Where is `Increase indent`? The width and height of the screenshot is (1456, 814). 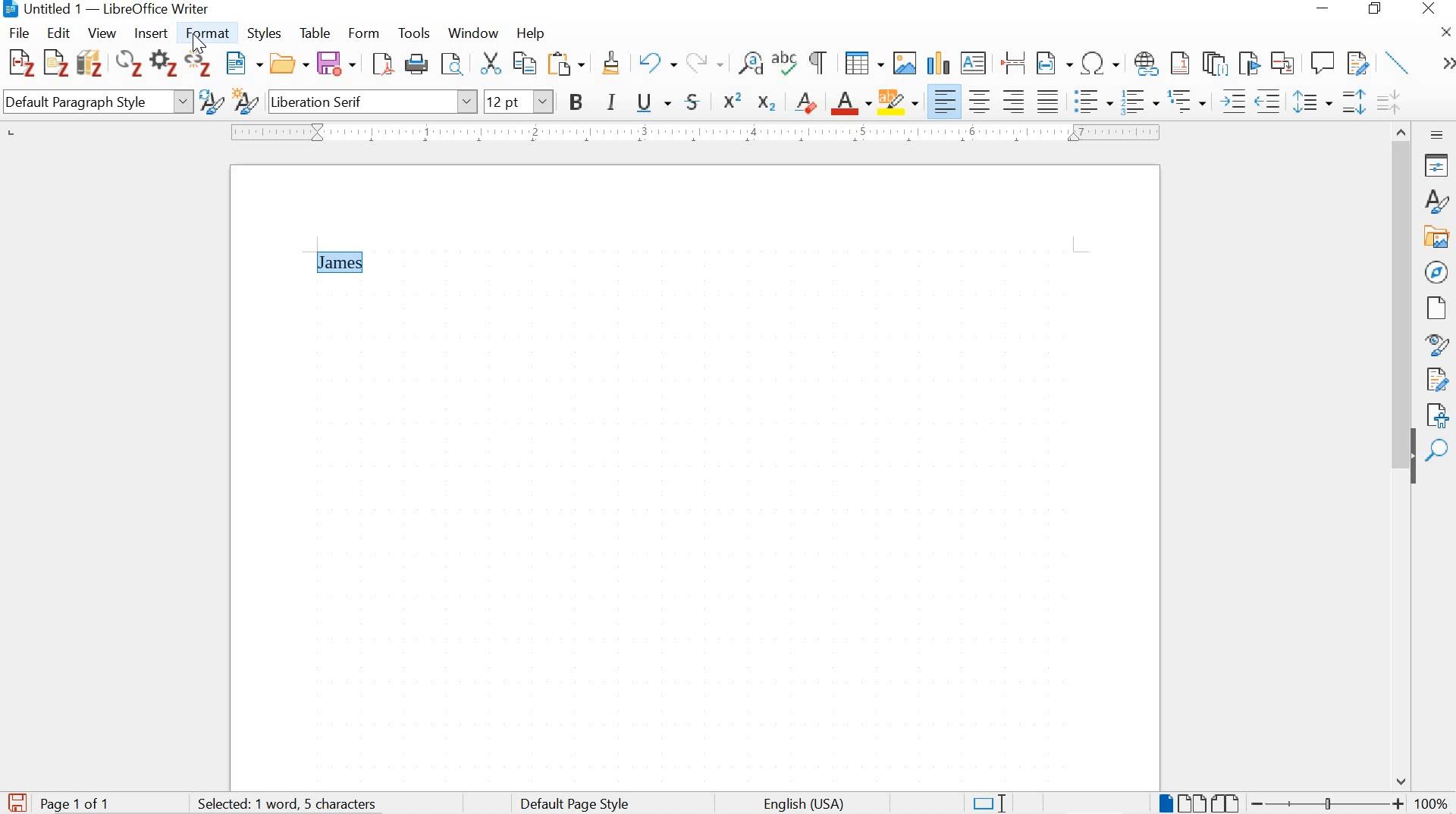
Increase indent is located at coordinates (1232, 101).